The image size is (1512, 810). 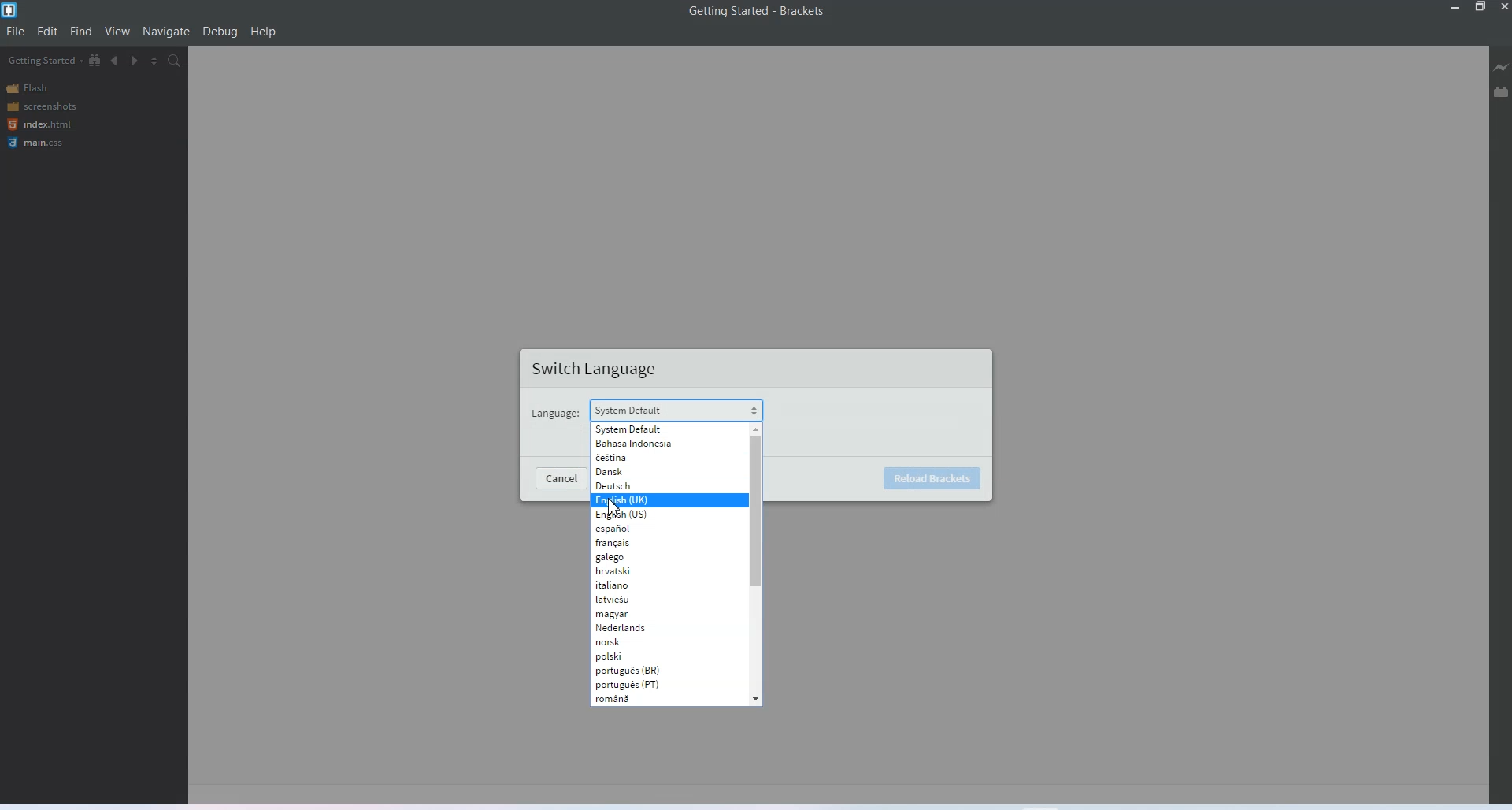 I want to click on Navigate forward, so click(x=135, y=61).